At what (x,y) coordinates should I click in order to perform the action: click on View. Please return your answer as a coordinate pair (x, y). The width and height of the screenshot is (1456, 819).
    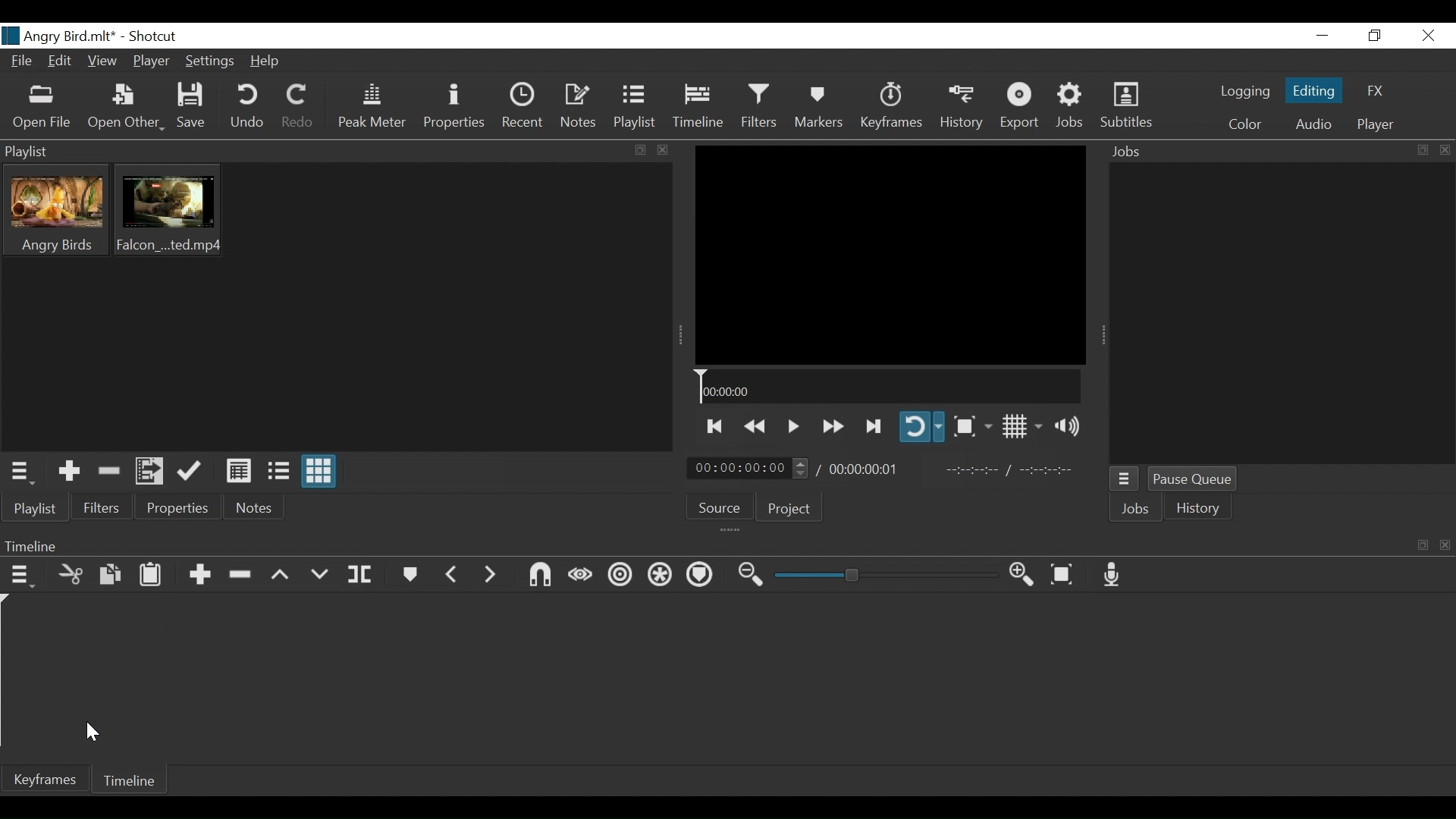
    Looking at the image, I should click on (102, 61).